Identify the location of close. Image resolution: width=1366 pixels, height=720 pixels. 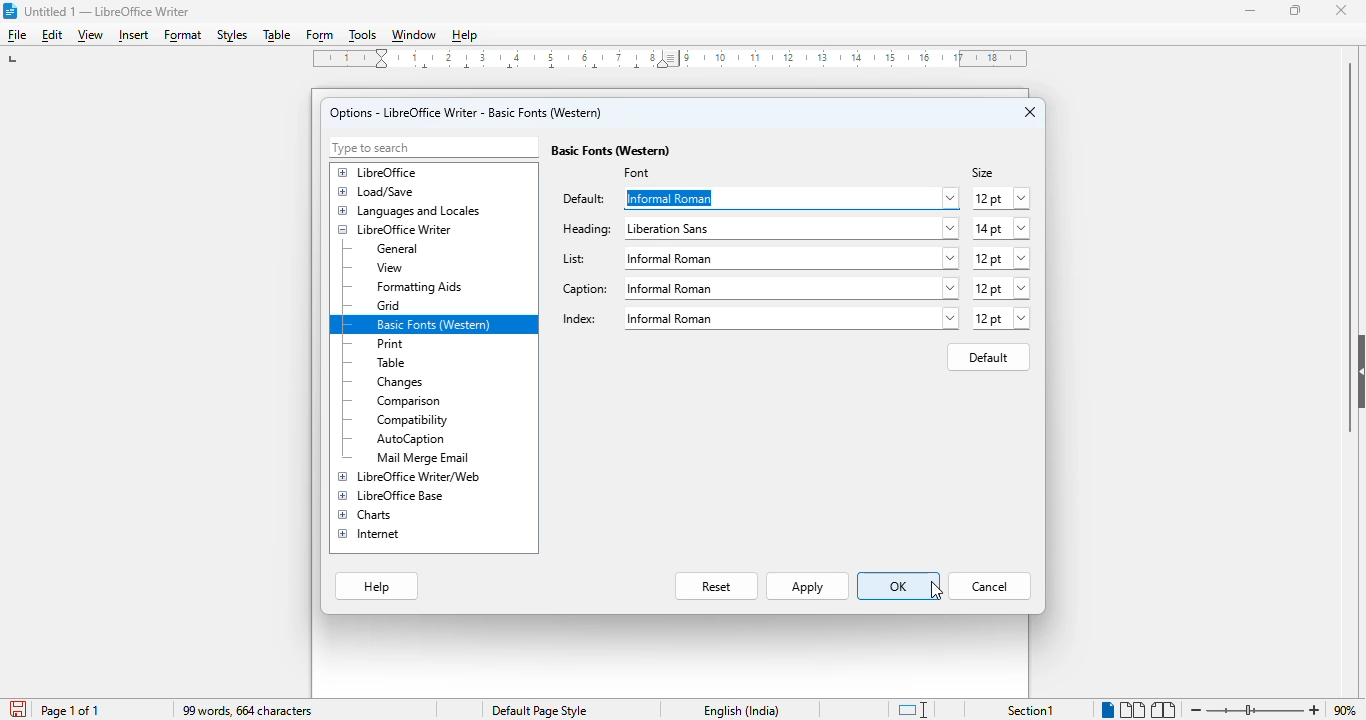
(1342, 9).